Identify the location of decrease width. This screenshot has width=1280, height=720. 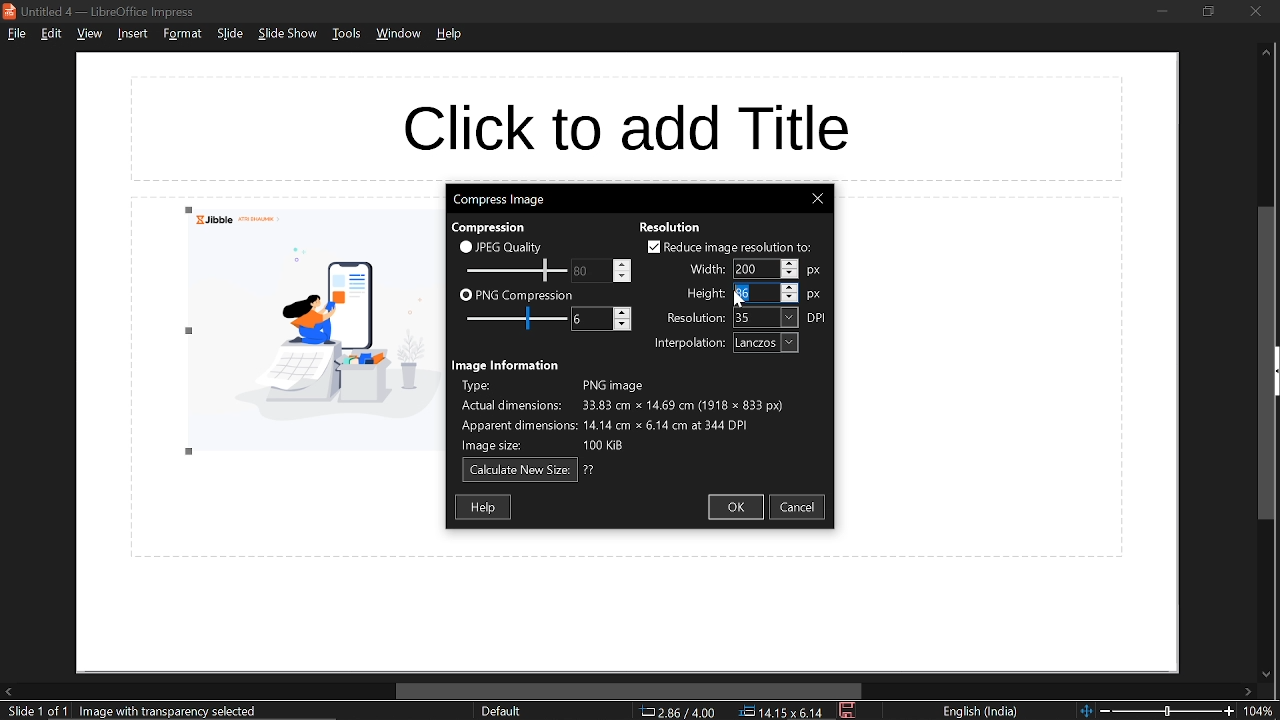
(790, 274).